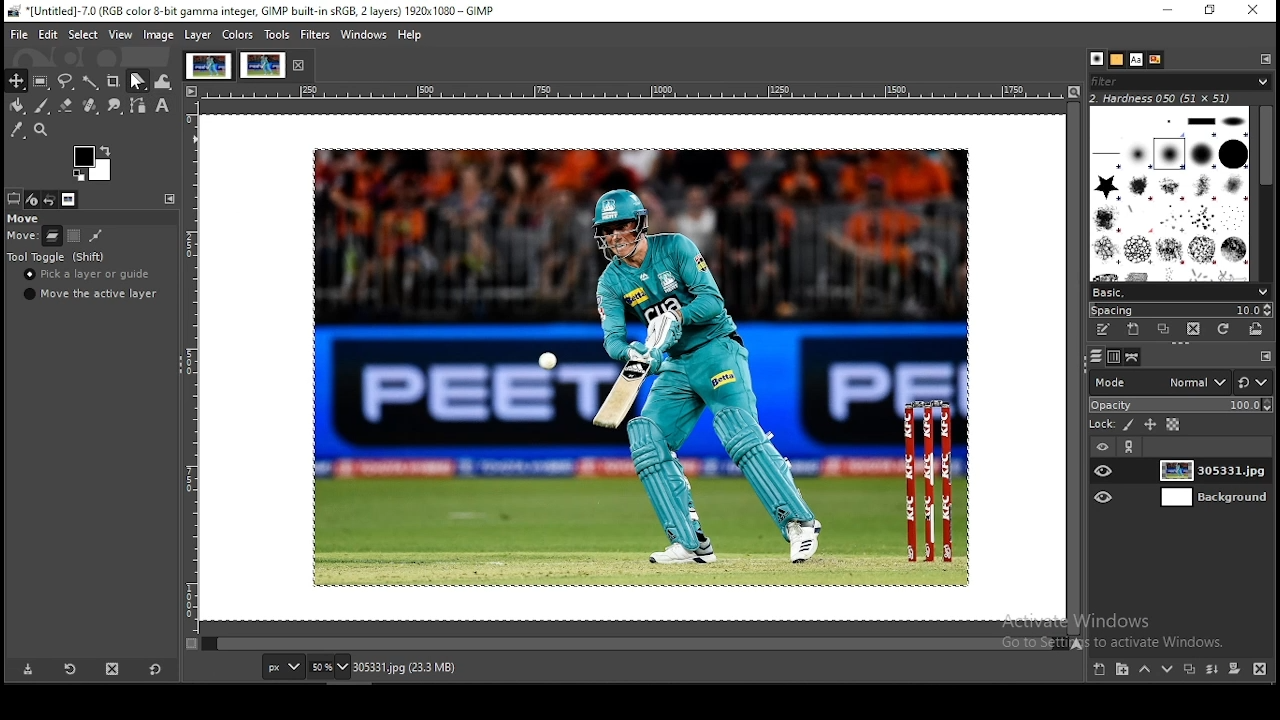 The image size is (1280, 720). What do you see at coordinates (1180, 293) in the screenshot?
I see `basic` at bounding box center [1180, 293].